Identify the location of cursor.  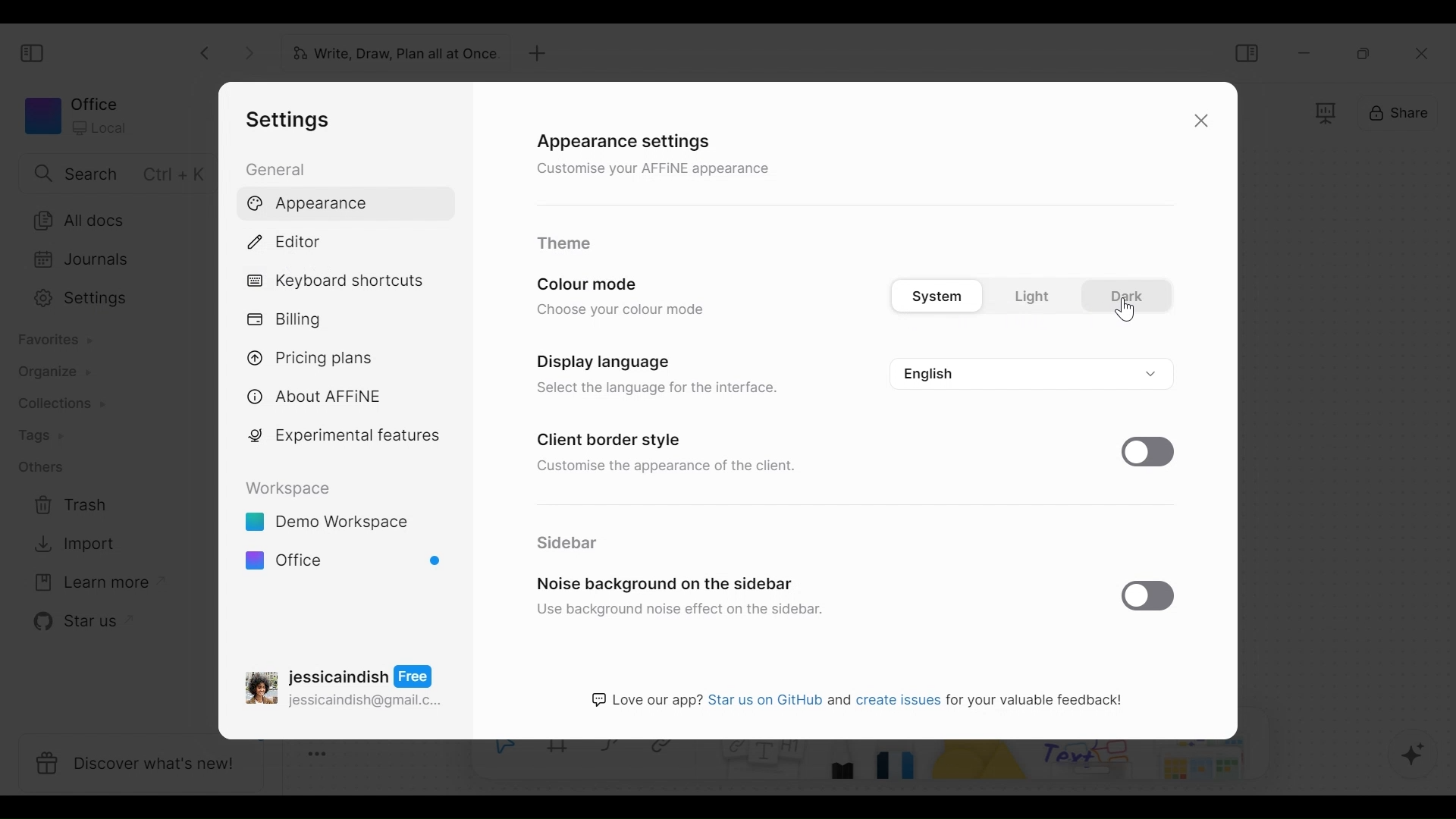
(1127, 315).